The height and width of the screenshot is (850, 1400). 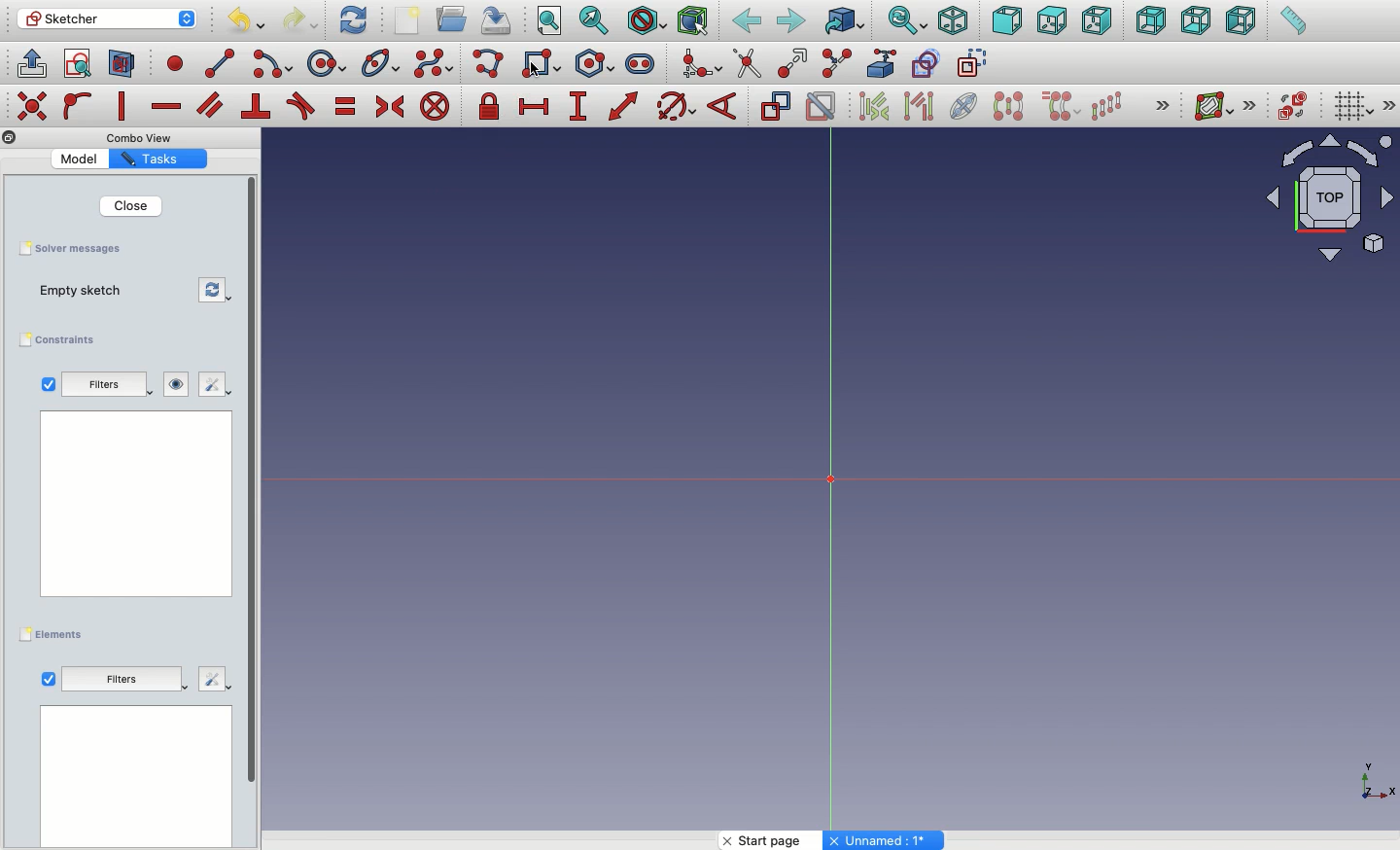 I want to click on Tasks, so click(x=155, y=159).